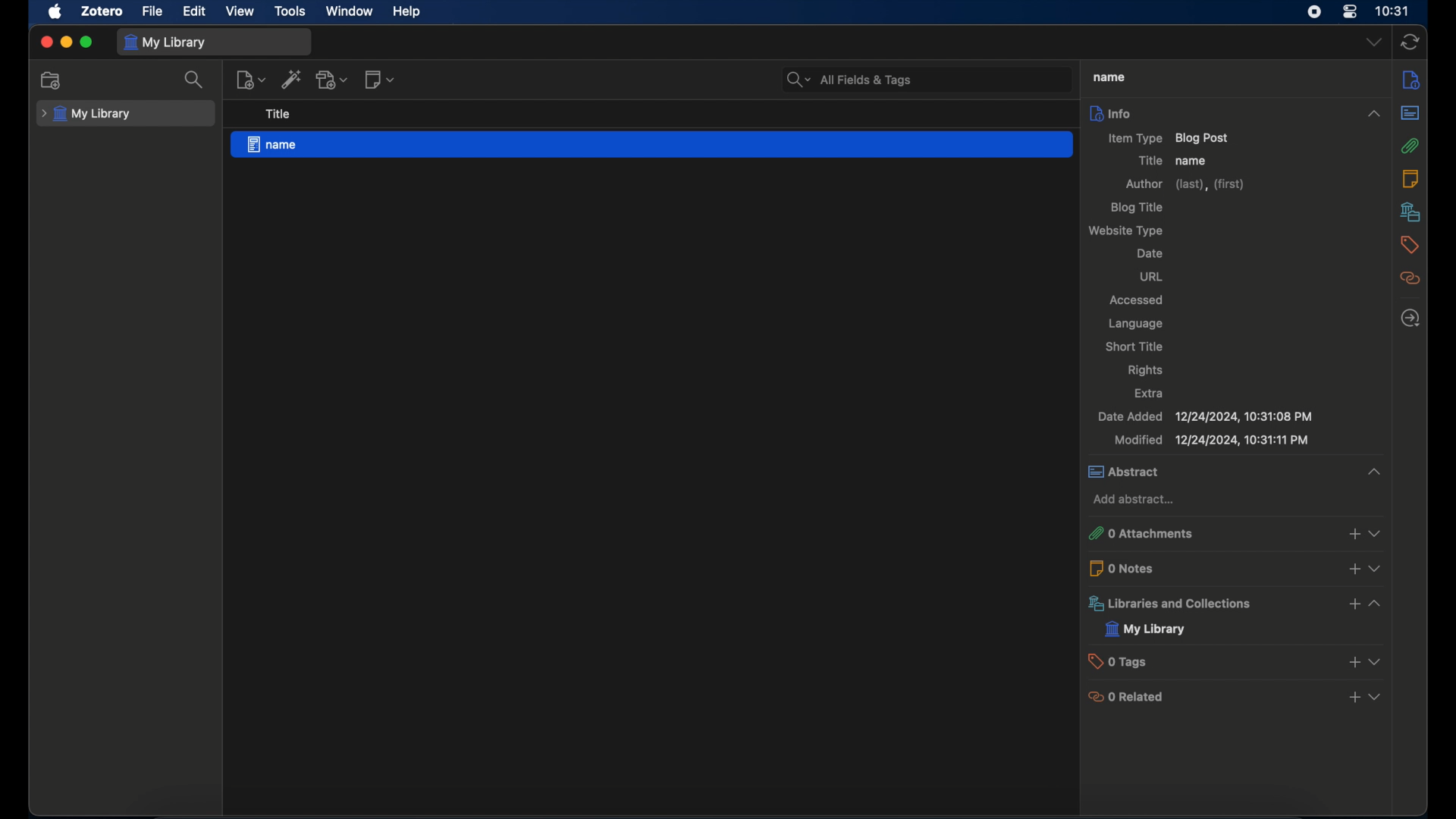 The height and width of the screenshot is (819, 1456). Describe the element at coordinates (1169, 137) in the screenshot. I see `item type` at that location.